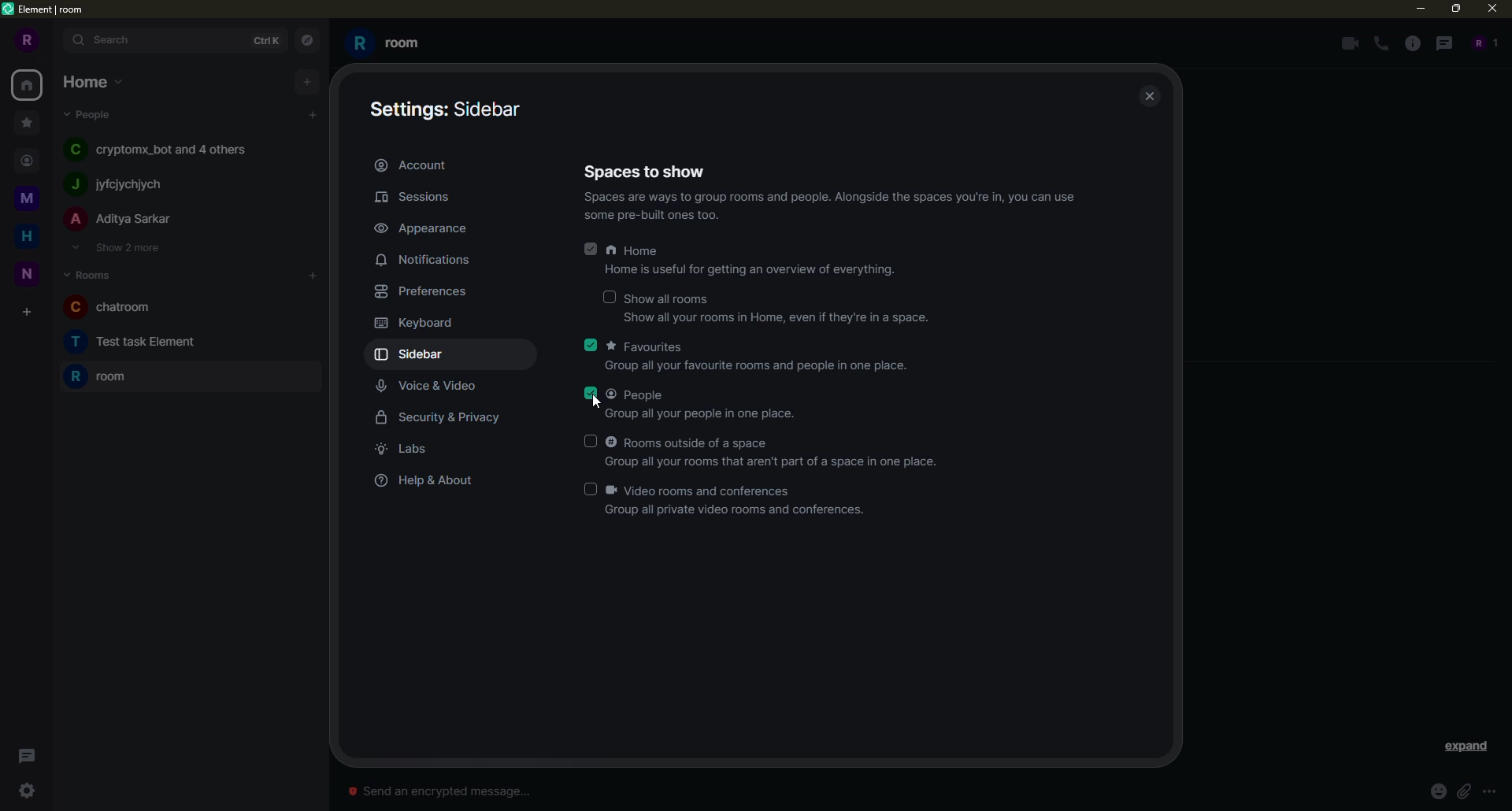 This screenshot has height=811, width=1512. Describe the element at coordinates (588, 441) in the screenshot. I see `select` at that location.